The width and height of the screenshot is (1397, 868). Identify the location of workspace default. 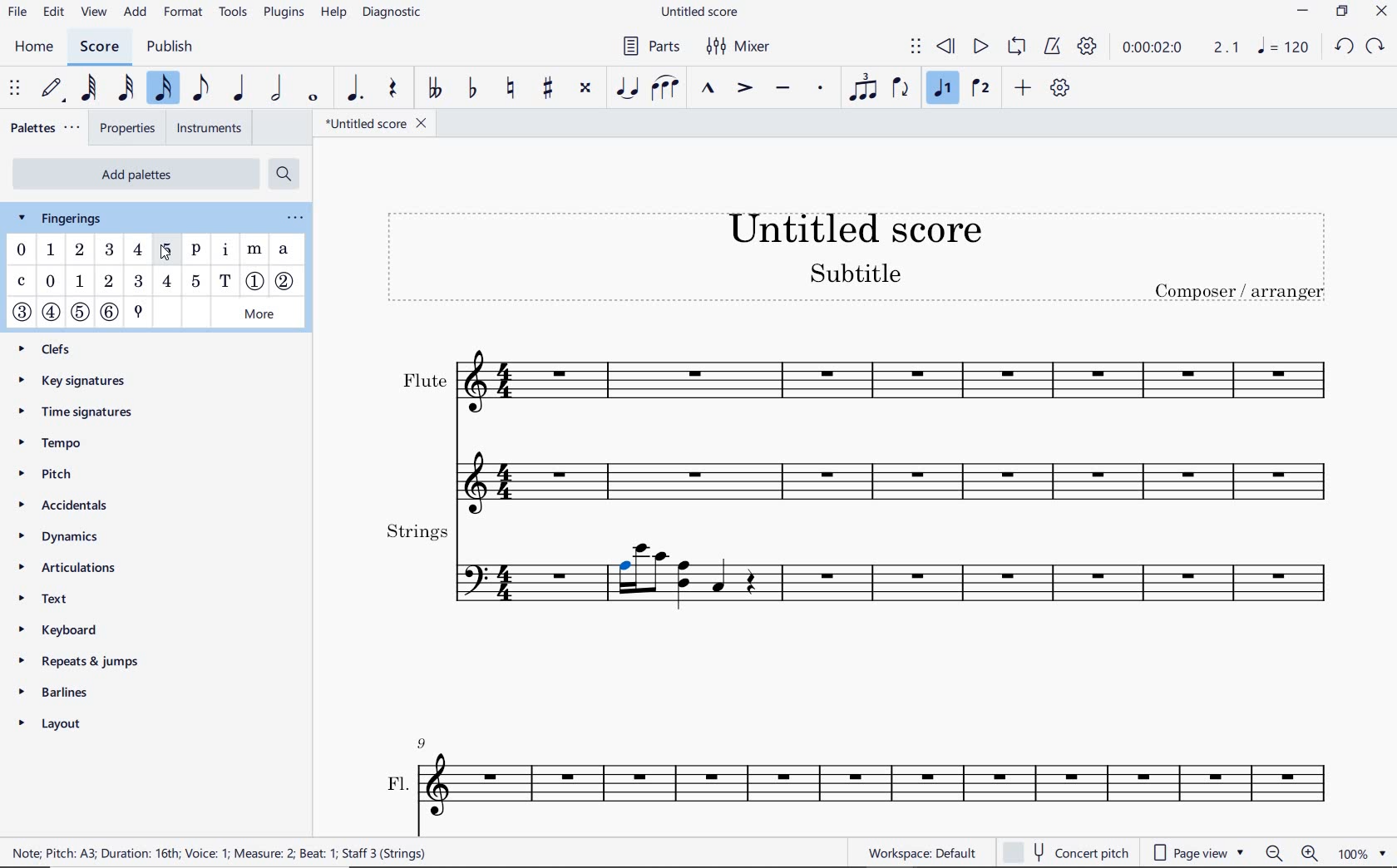
(922, 853).